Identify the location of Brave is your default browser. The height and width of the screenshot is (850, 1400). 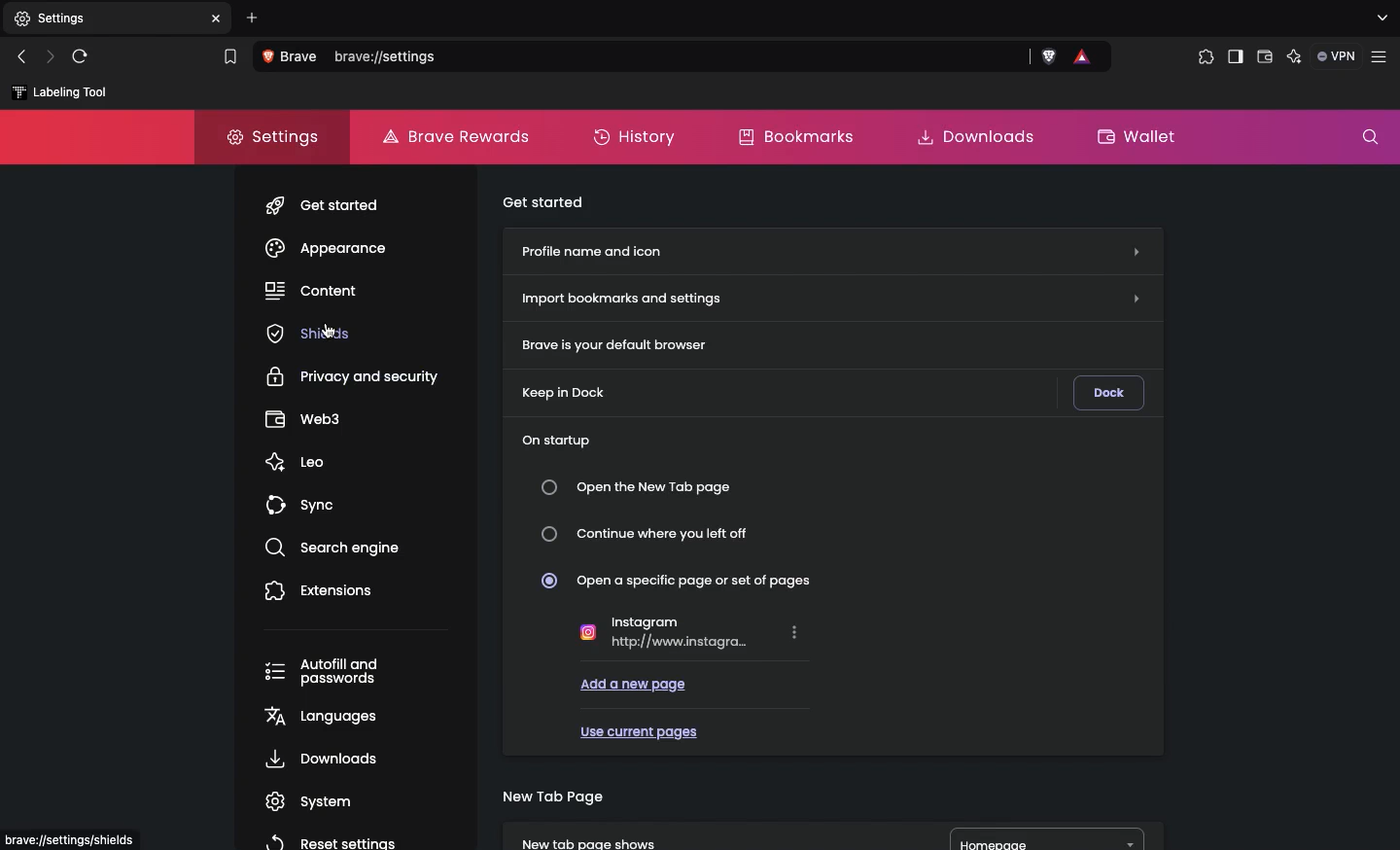
(615, 347).